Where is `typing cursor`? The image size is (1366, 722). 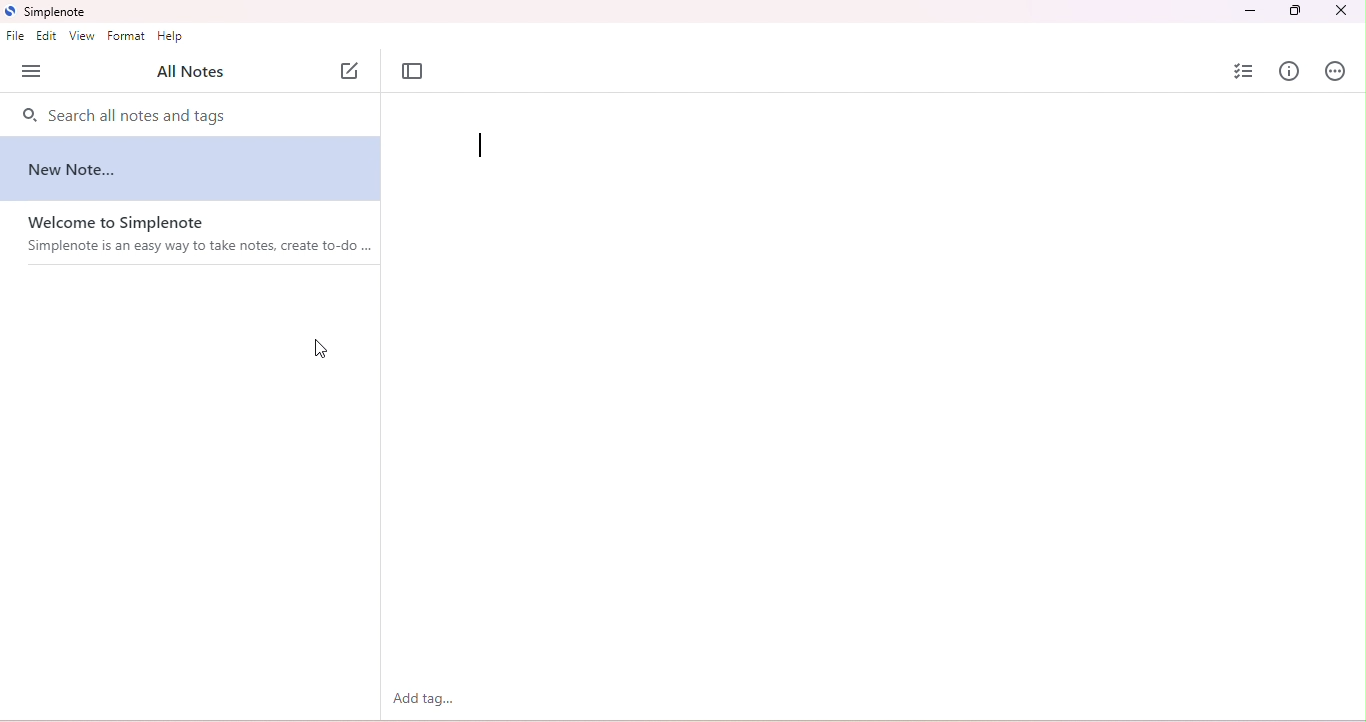
typing cursor is located at coordinates (483, 147).